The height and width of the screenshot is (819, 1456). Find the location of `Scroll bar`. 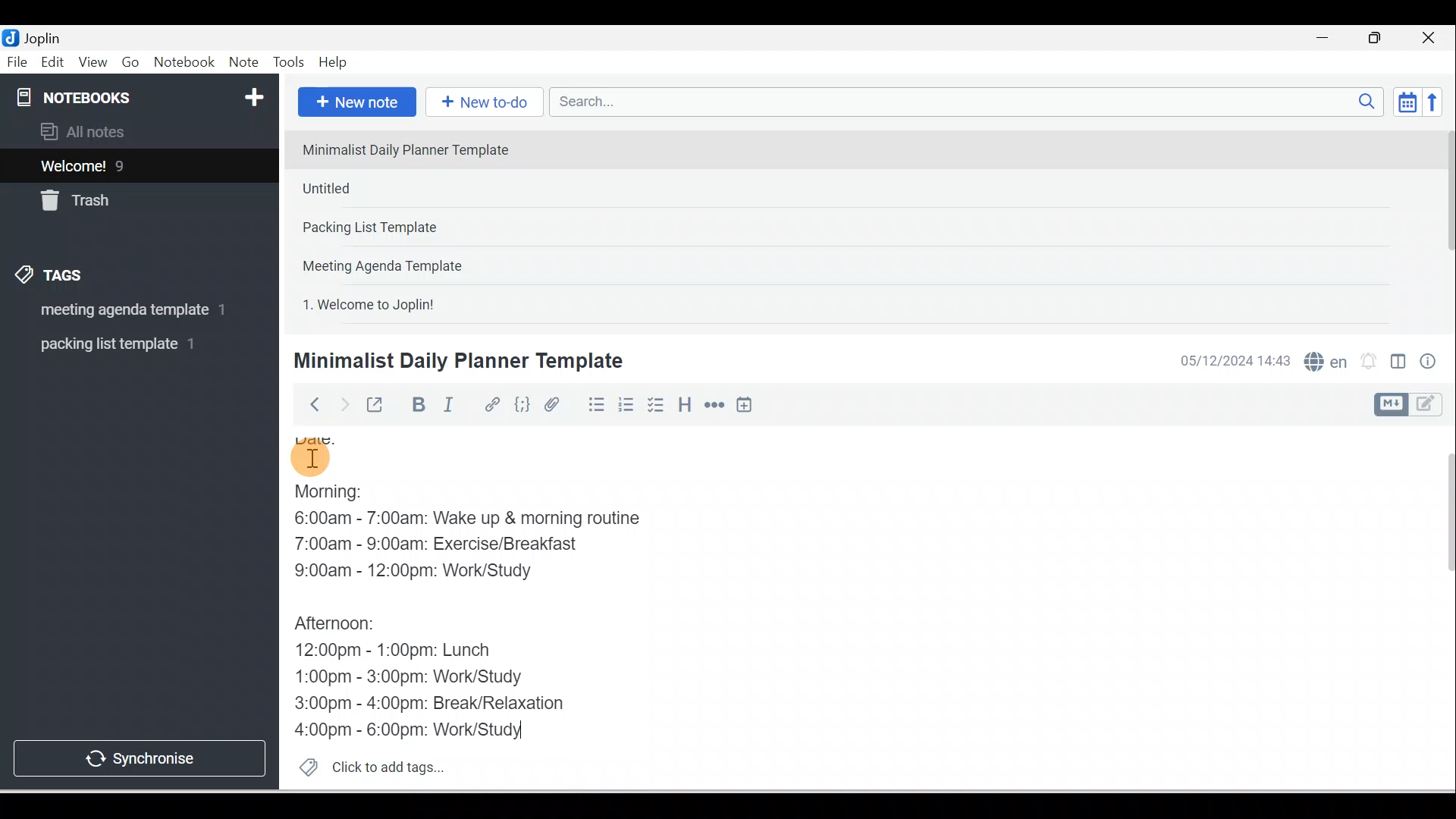

Scroll bar is located at coordinates (1444, 224).